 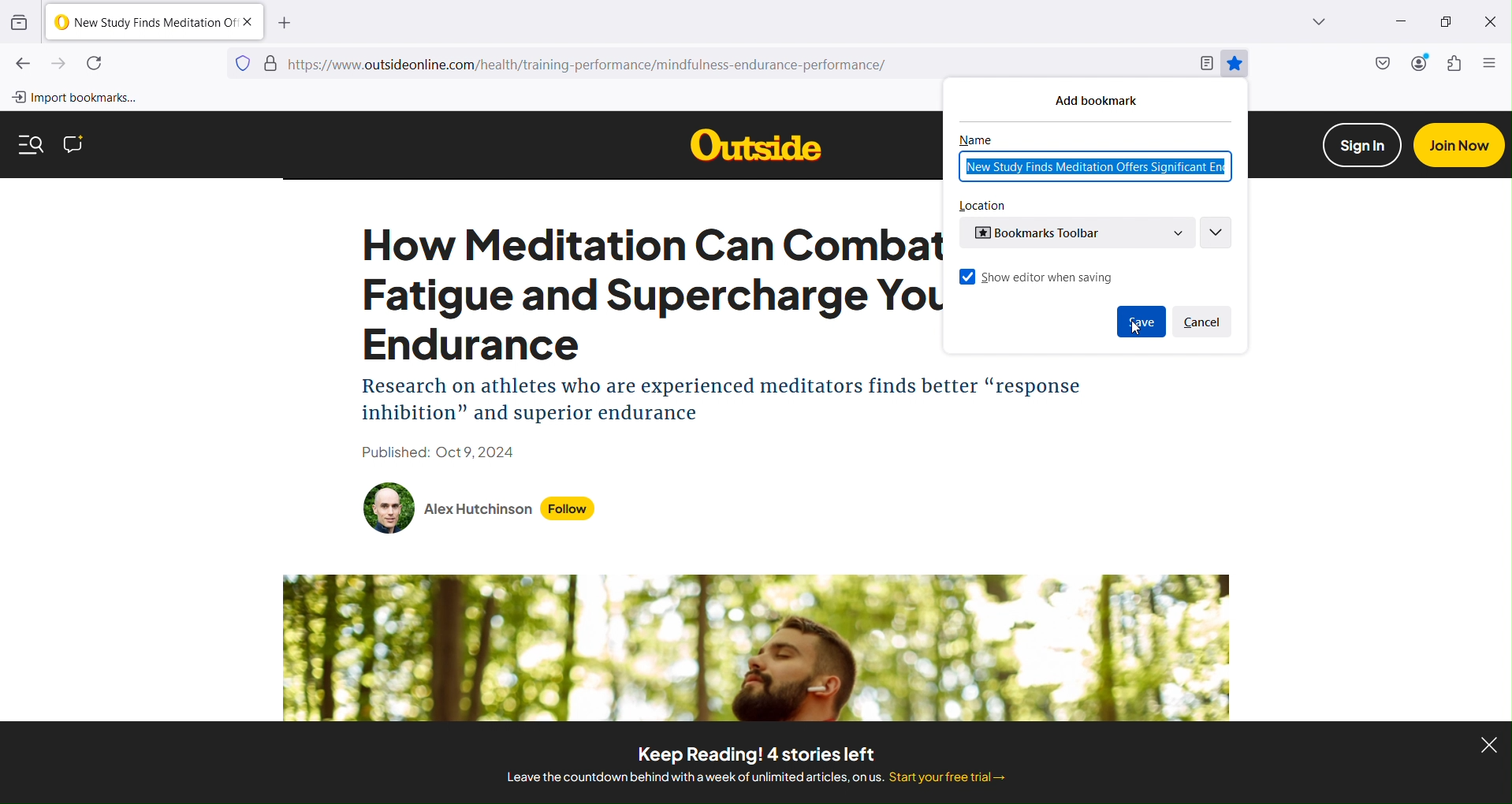 What do you see at coordinates (1141, 322) in the screenshot?
I see `Save` at bounding box center [1141, 322].